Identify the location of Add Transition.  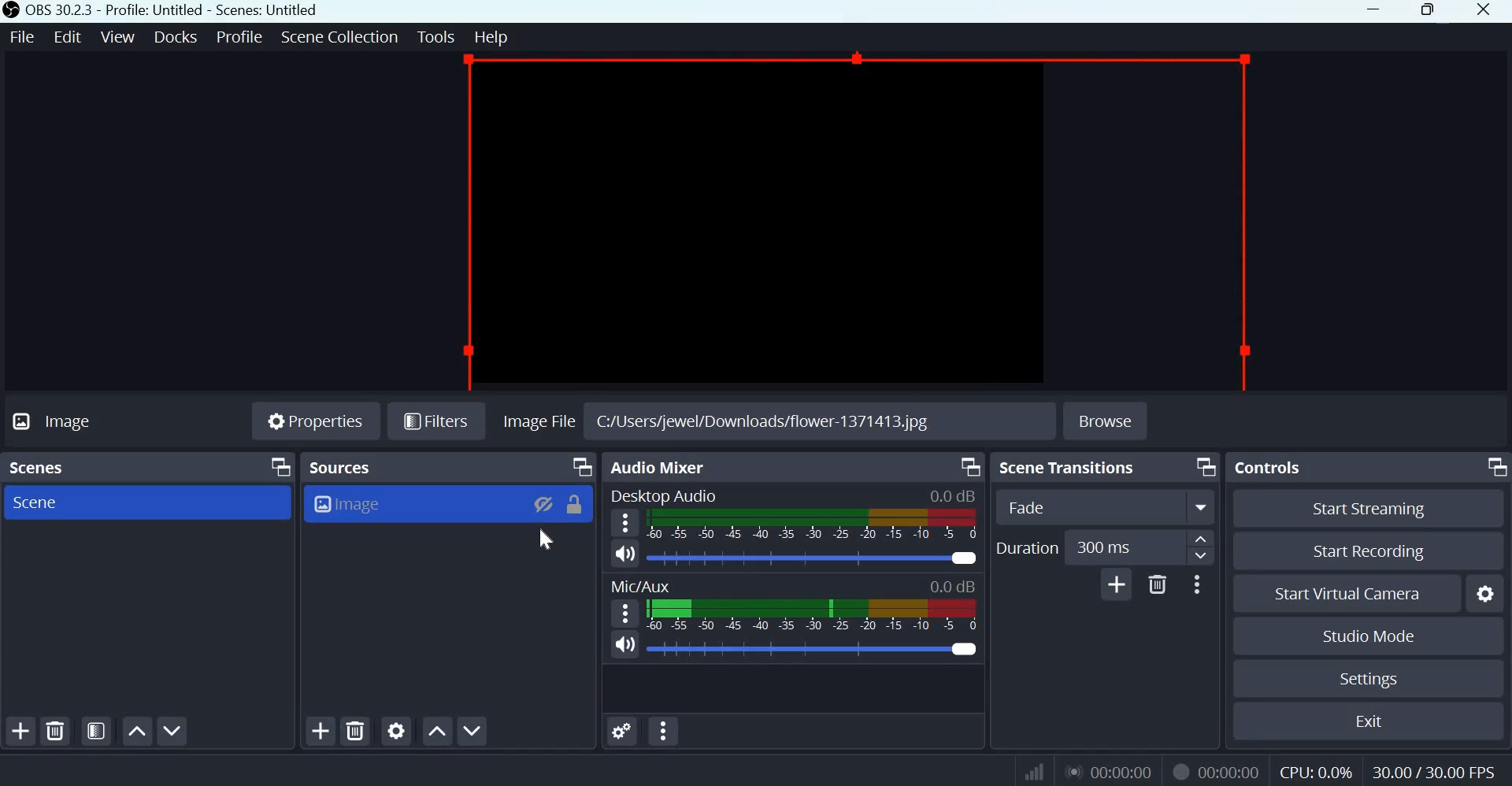
(1117, 584).